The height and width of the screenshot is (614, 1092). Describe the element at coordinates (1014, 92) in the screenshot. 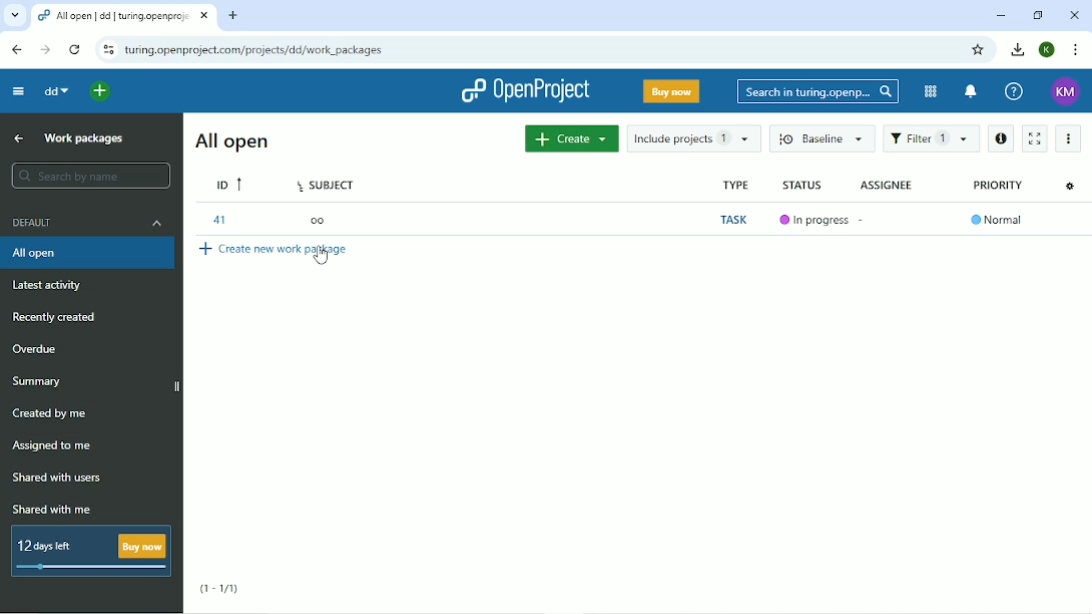

I see `Help` at that location.